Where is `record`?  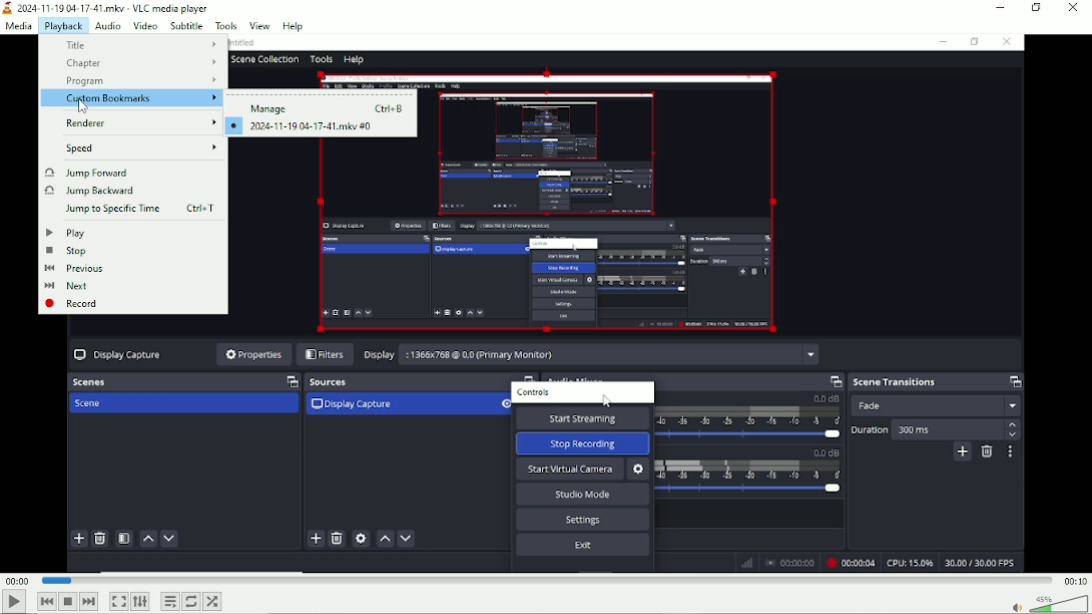
record is located at coordinates (72, 304).